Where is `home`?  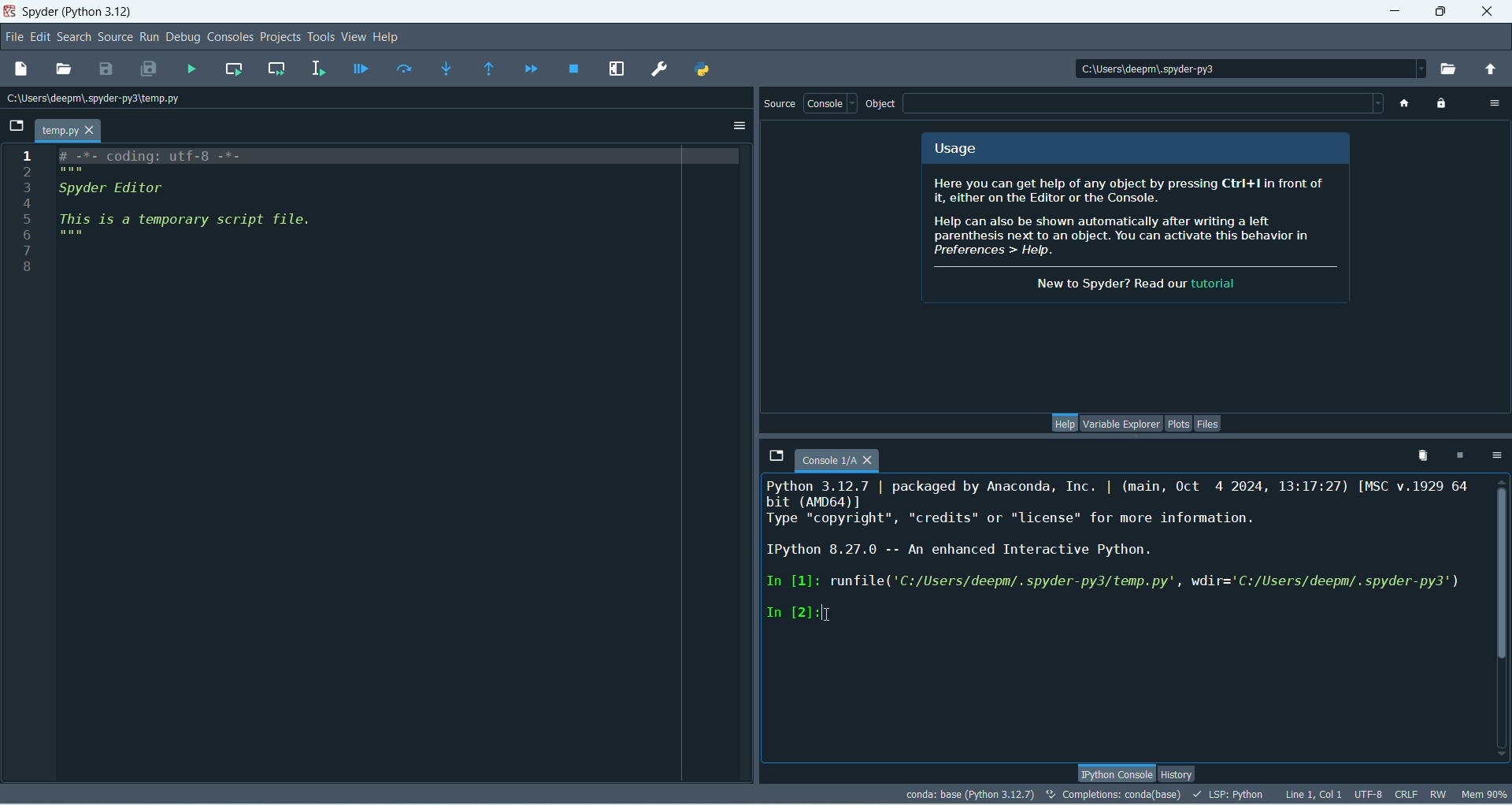 home is located at coordinates (1403, 104).